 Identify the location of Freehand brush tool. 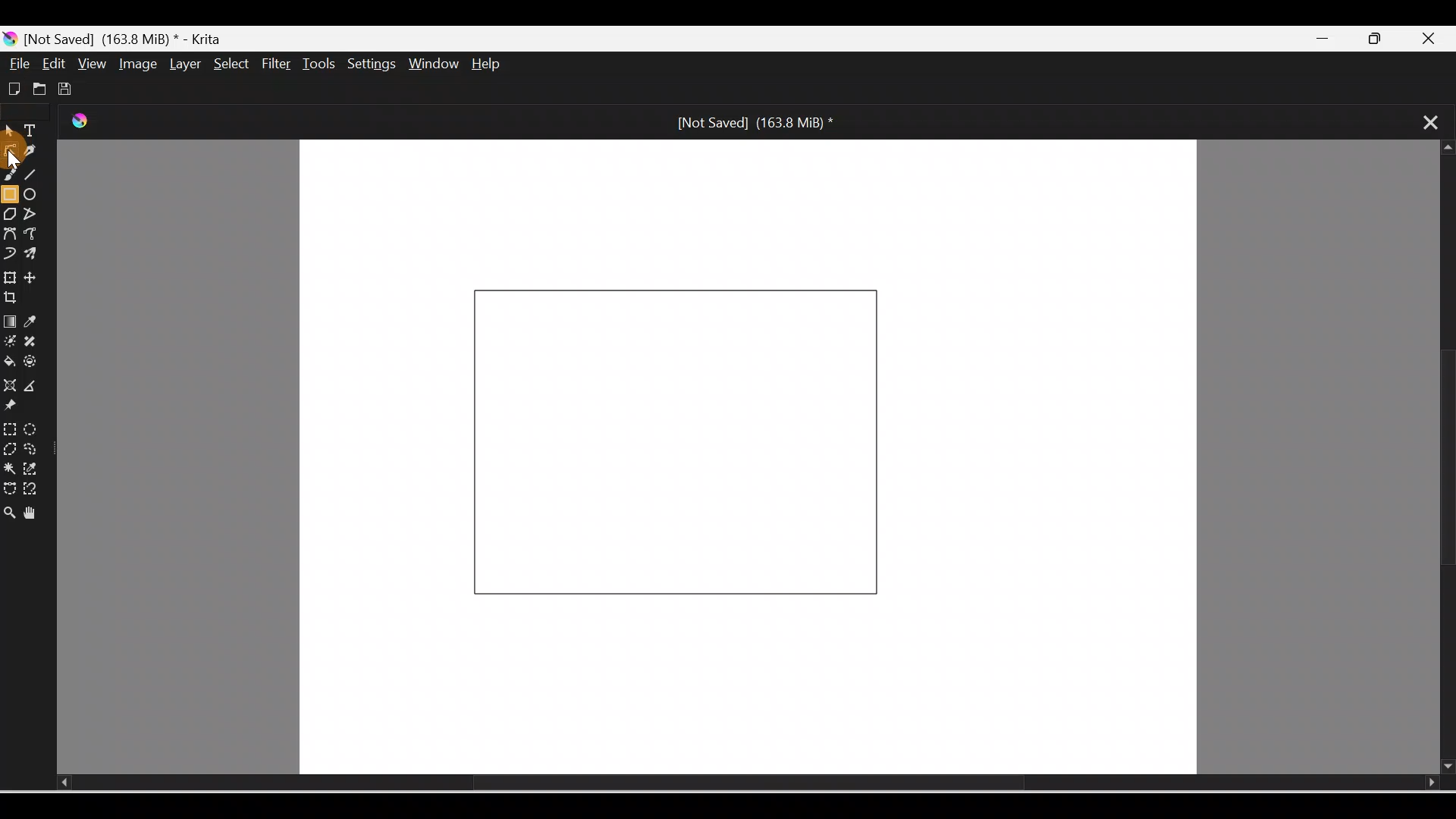
(12, 177).